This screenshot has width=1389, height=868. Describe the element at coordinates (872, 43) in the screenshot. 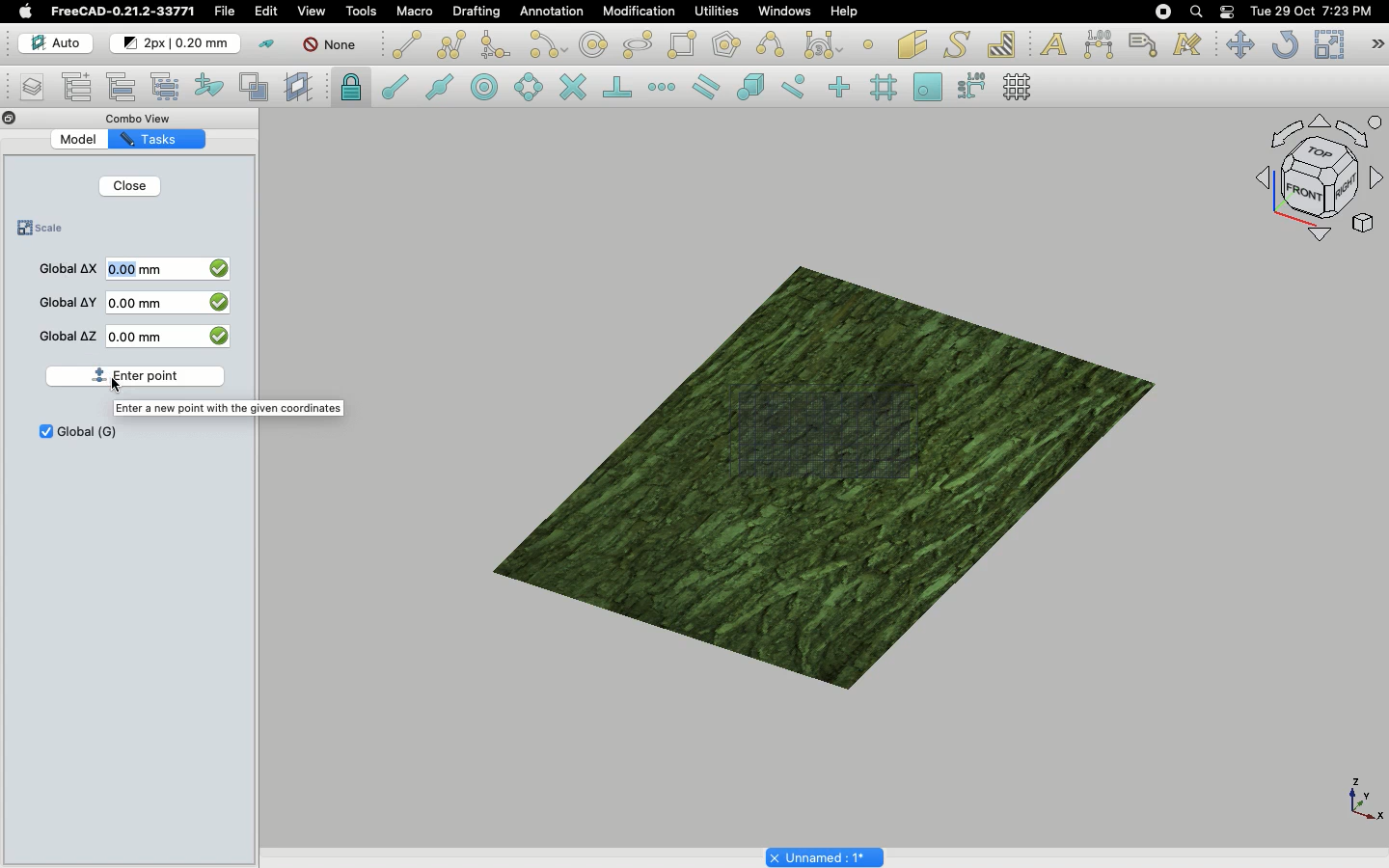

I see `Point` at that location.